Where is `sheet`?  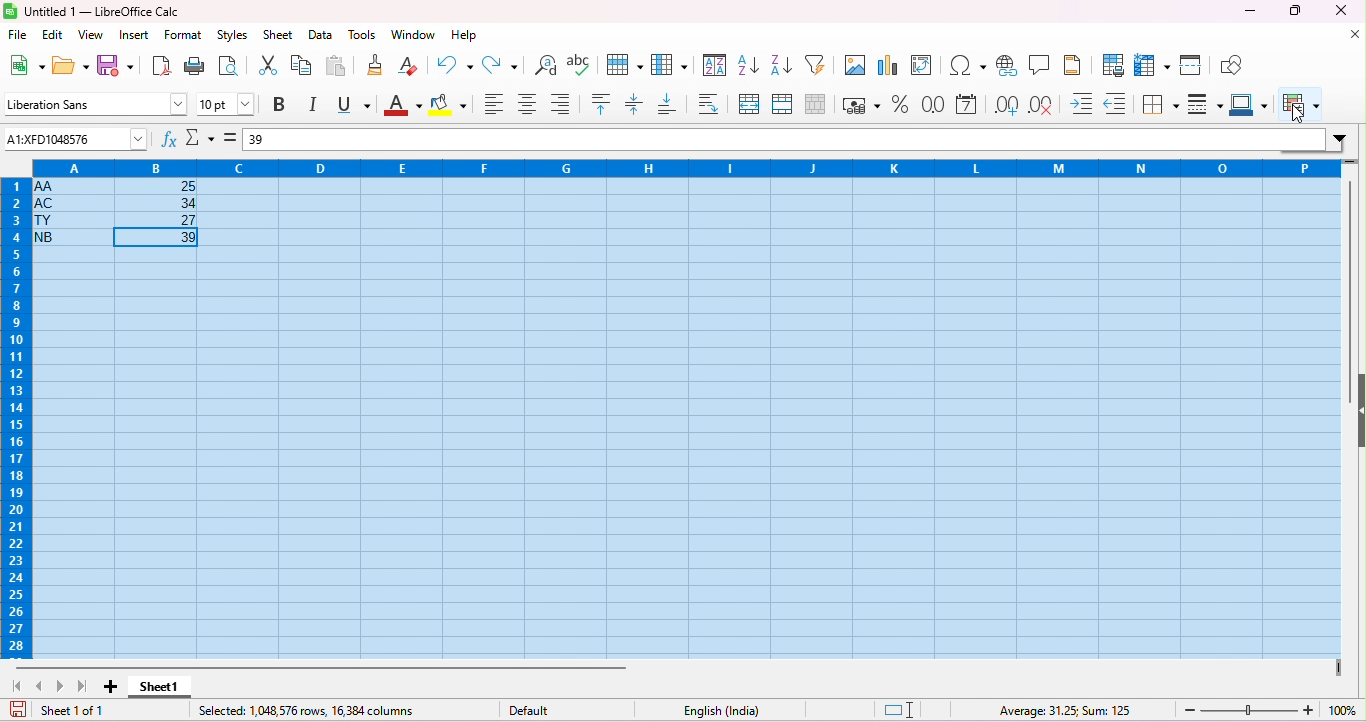
sheet is located at coordinates (280, 36).